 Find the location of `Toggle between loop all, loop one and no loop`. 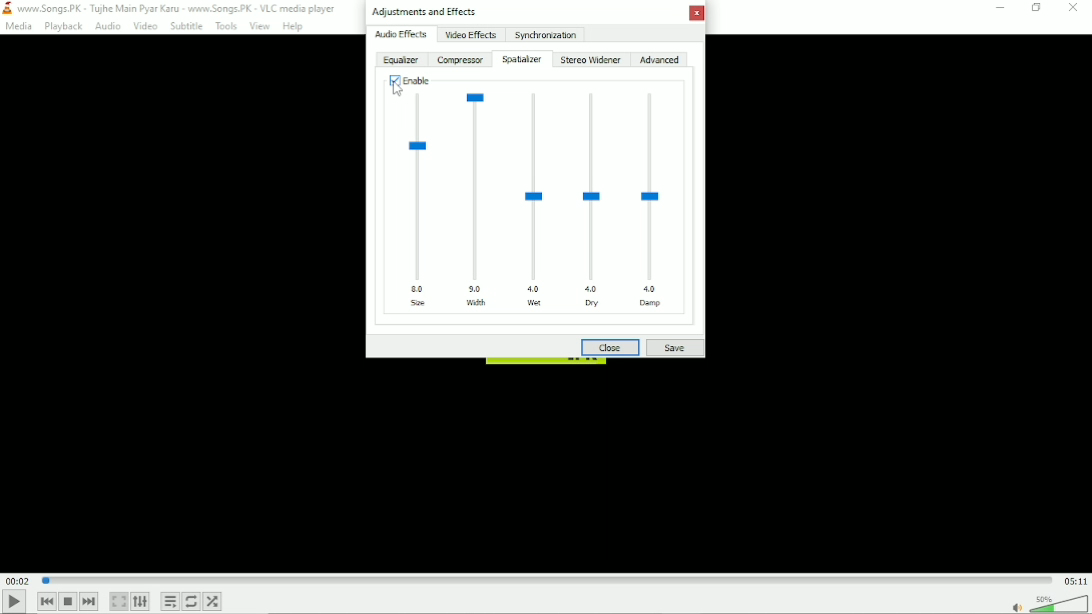

Toggle between loop all, loop one and no loop is located at coordinates (192, 601).